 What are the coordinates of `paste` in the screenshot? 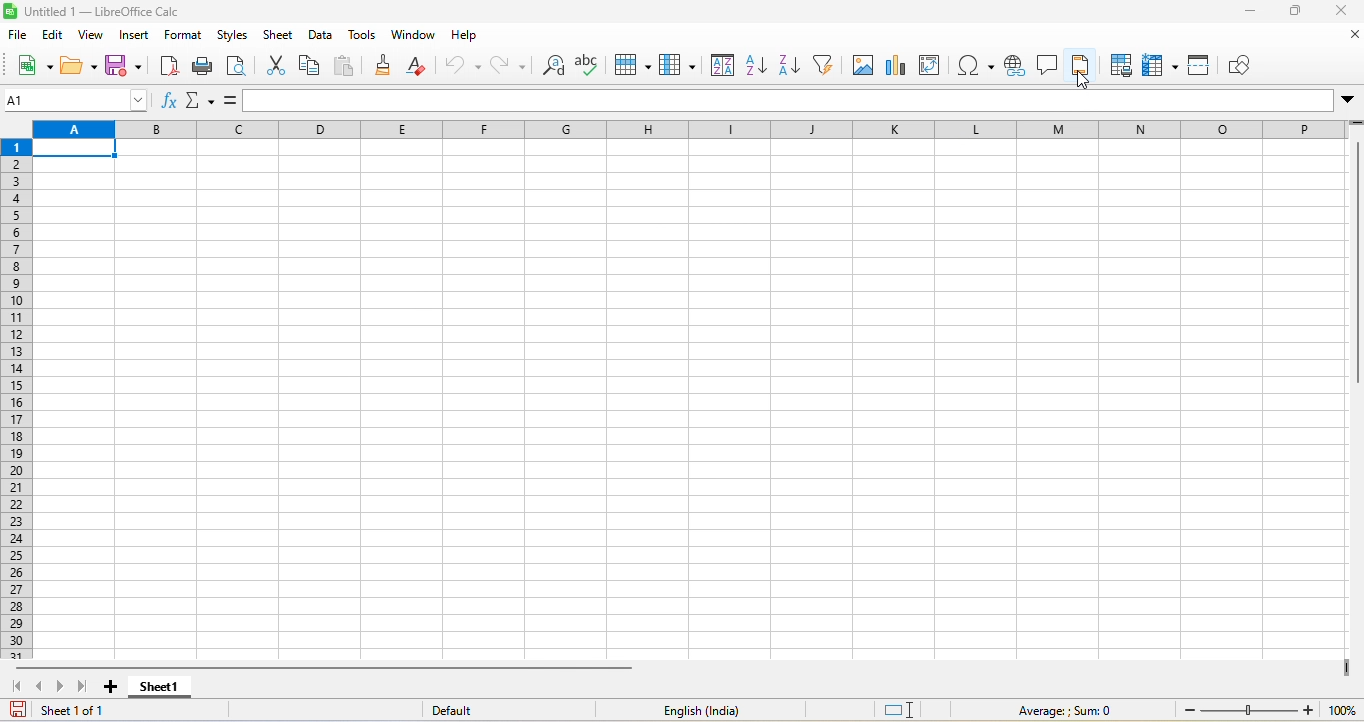 It's located at (349, 67).